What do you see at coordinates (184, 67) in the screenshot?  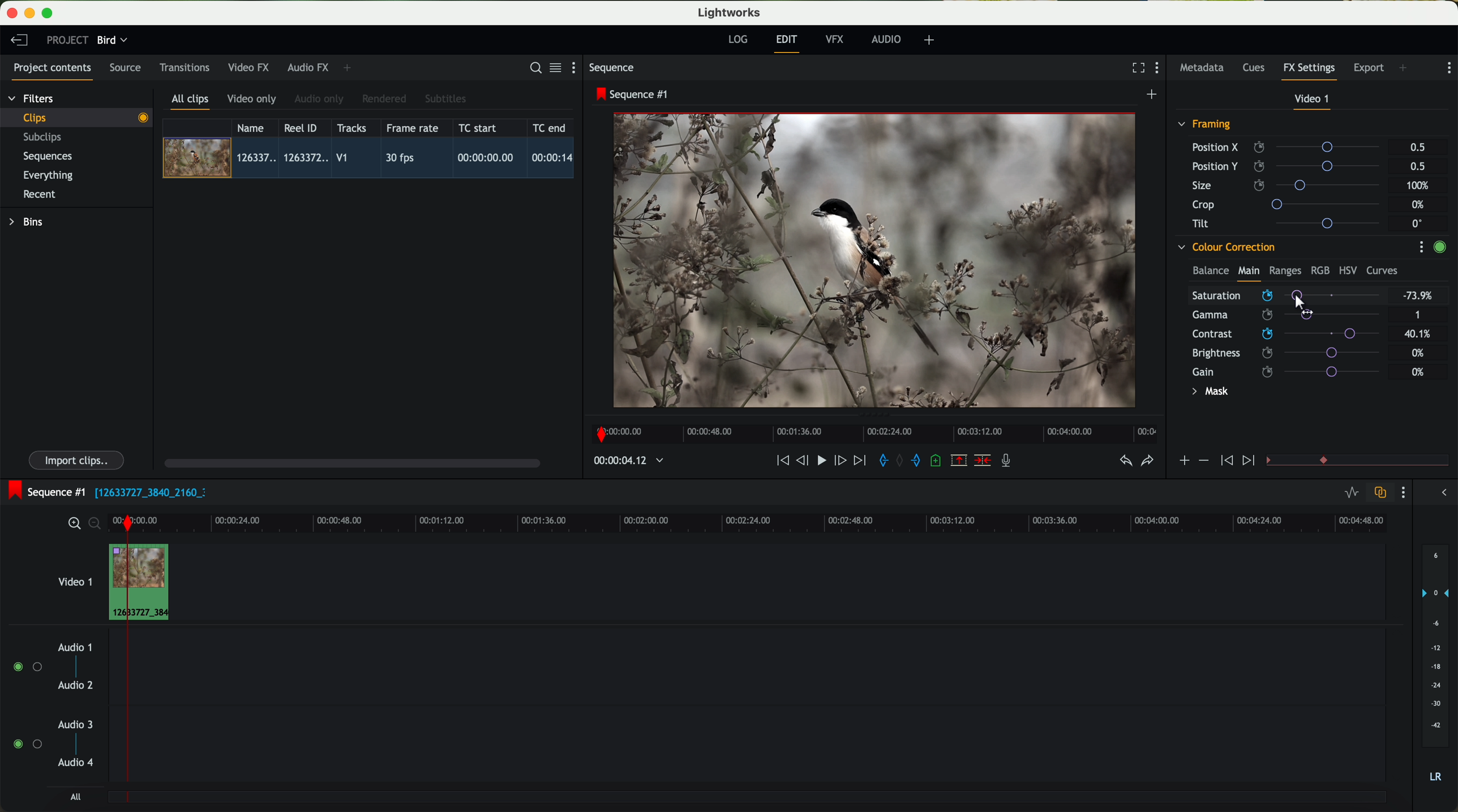 I see `transitions` at bounding box center [184, 67].